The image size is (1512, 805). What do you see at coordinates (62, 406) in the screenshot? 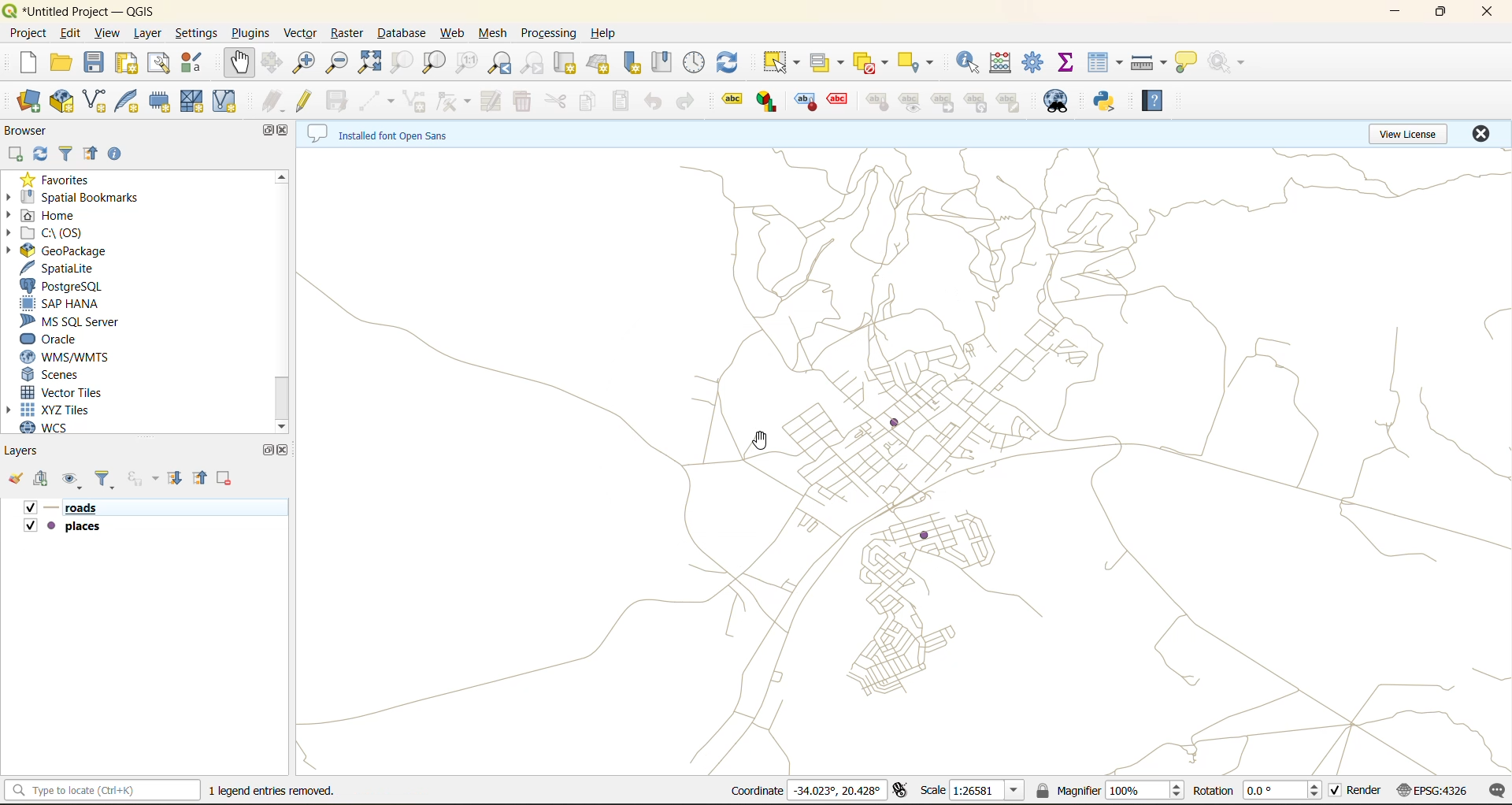
I see `xyz tiles` at bounding box center [62, 406].